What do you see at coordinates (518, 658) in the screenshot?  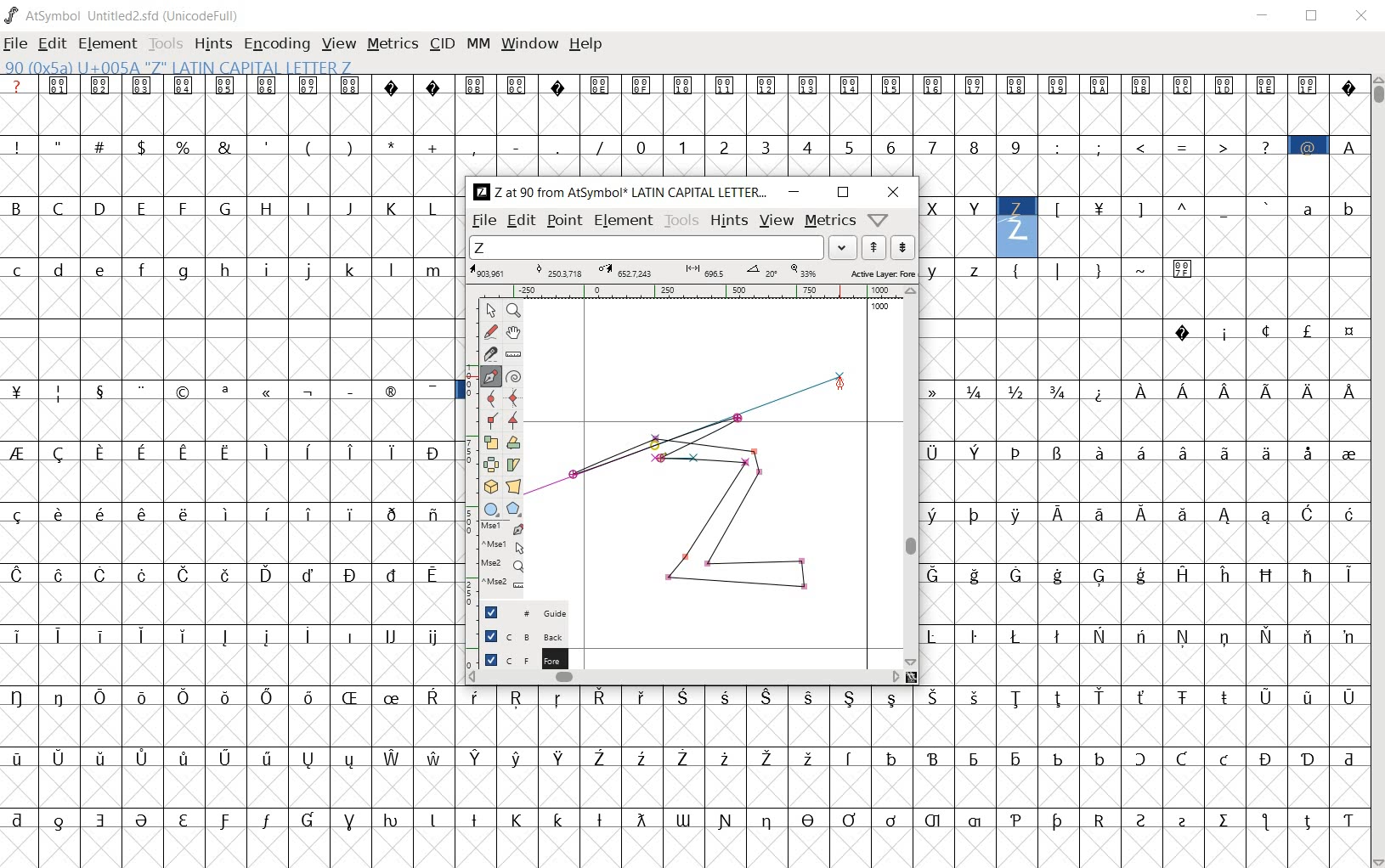 I see `Foreground` at bounding box center [518, 658].